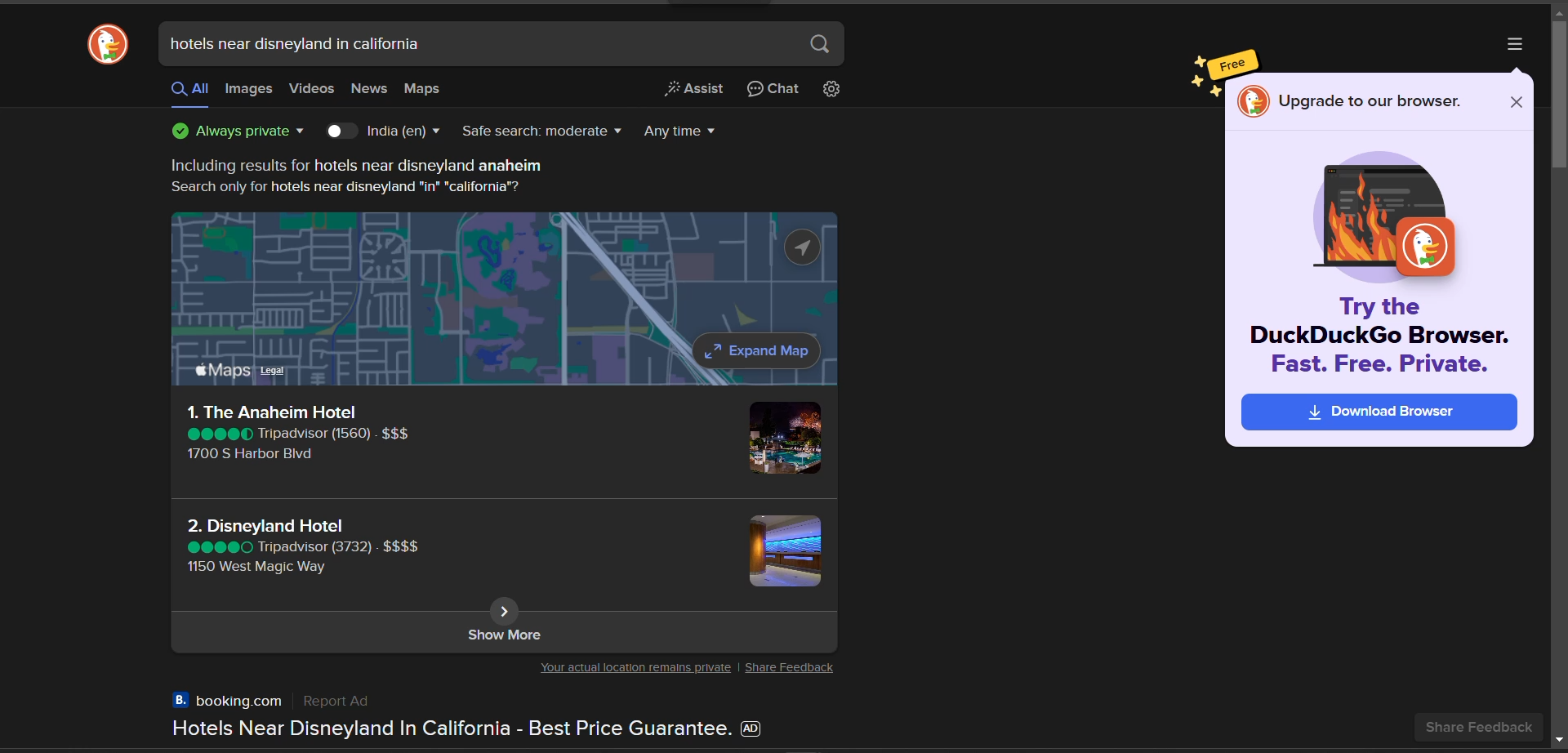 This screenshot has height=753, width=1568. What do you see at coordinates (773, 90) in the screenshot?
I see `chat privately with AI` at bounding box center [773, 90].